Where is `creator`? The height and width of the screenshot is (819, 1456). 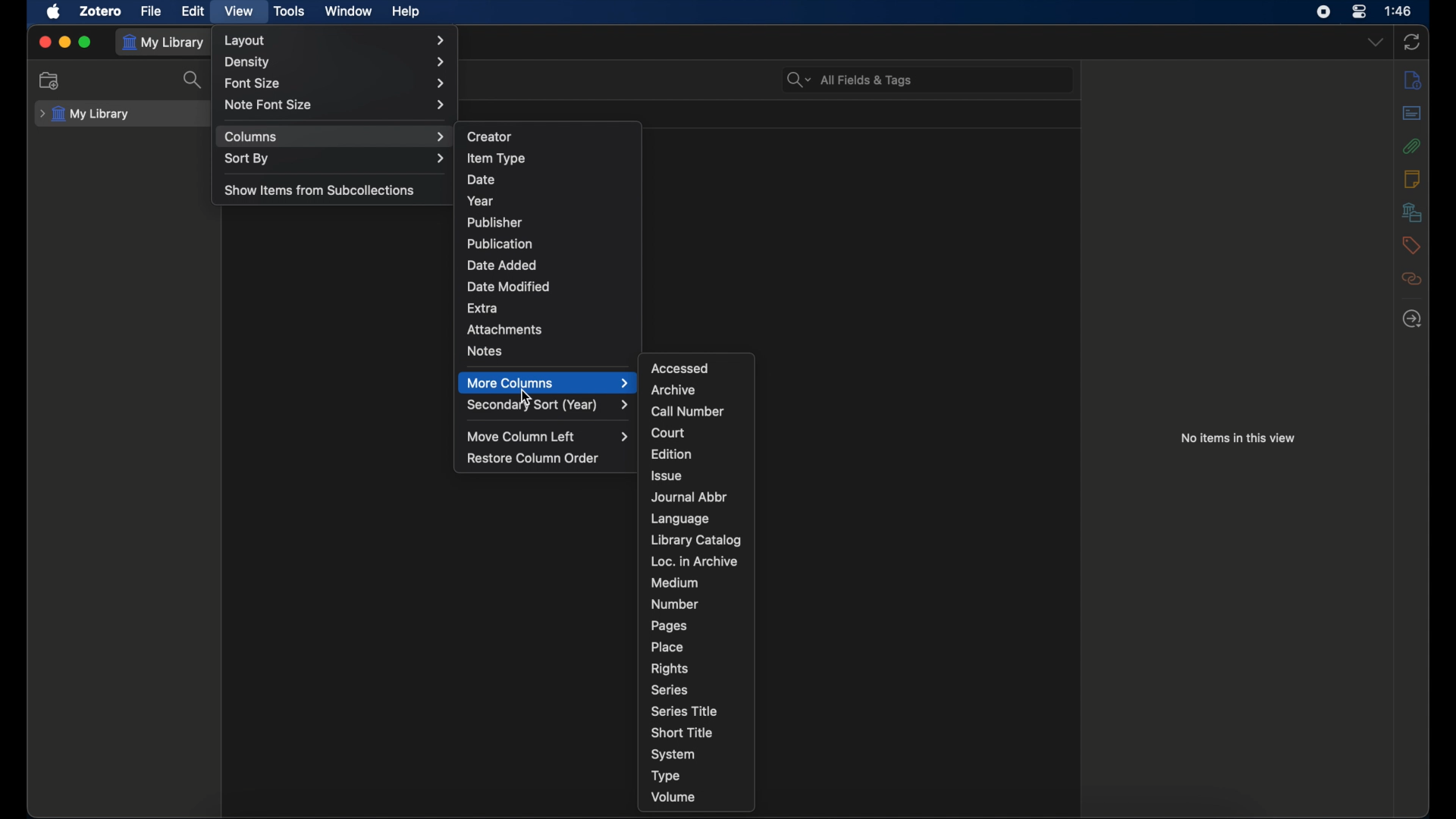 creator is located at coordinates (491, 136).